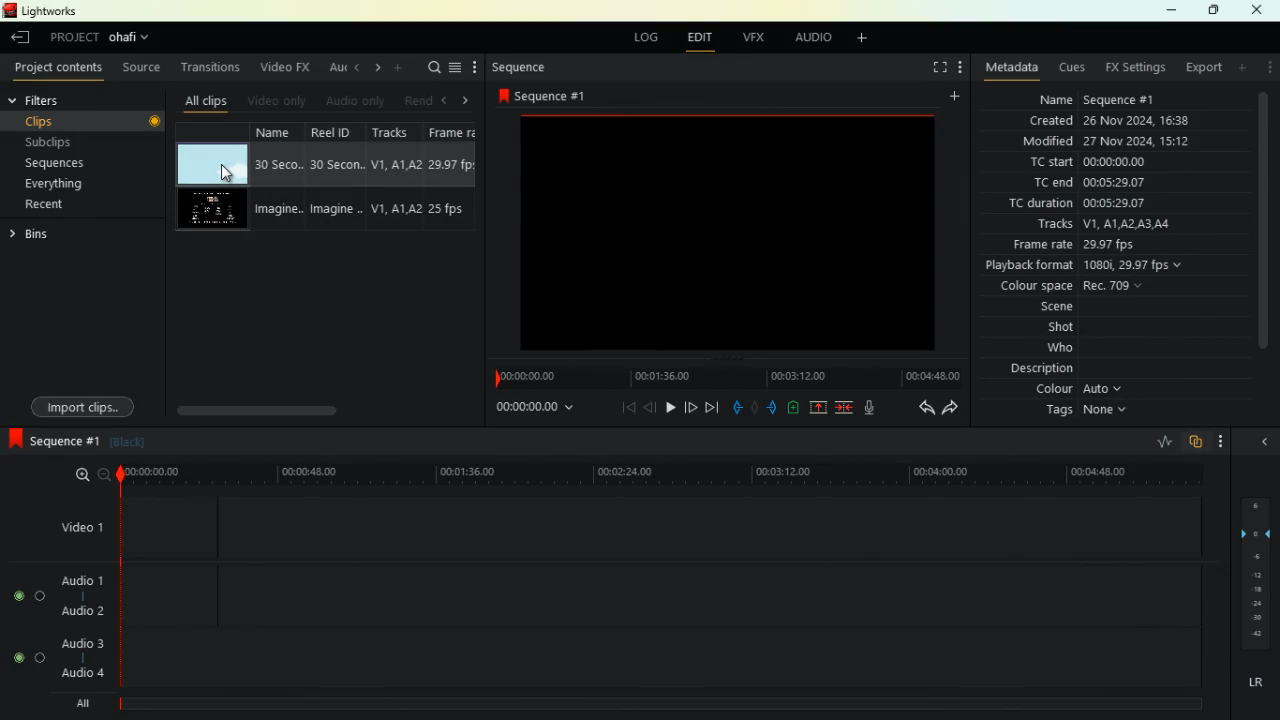 This screenshot has width=1280, height=720. Describe the element at coordinates (285, 67) in the screenshot. I see `video fx` at that location.